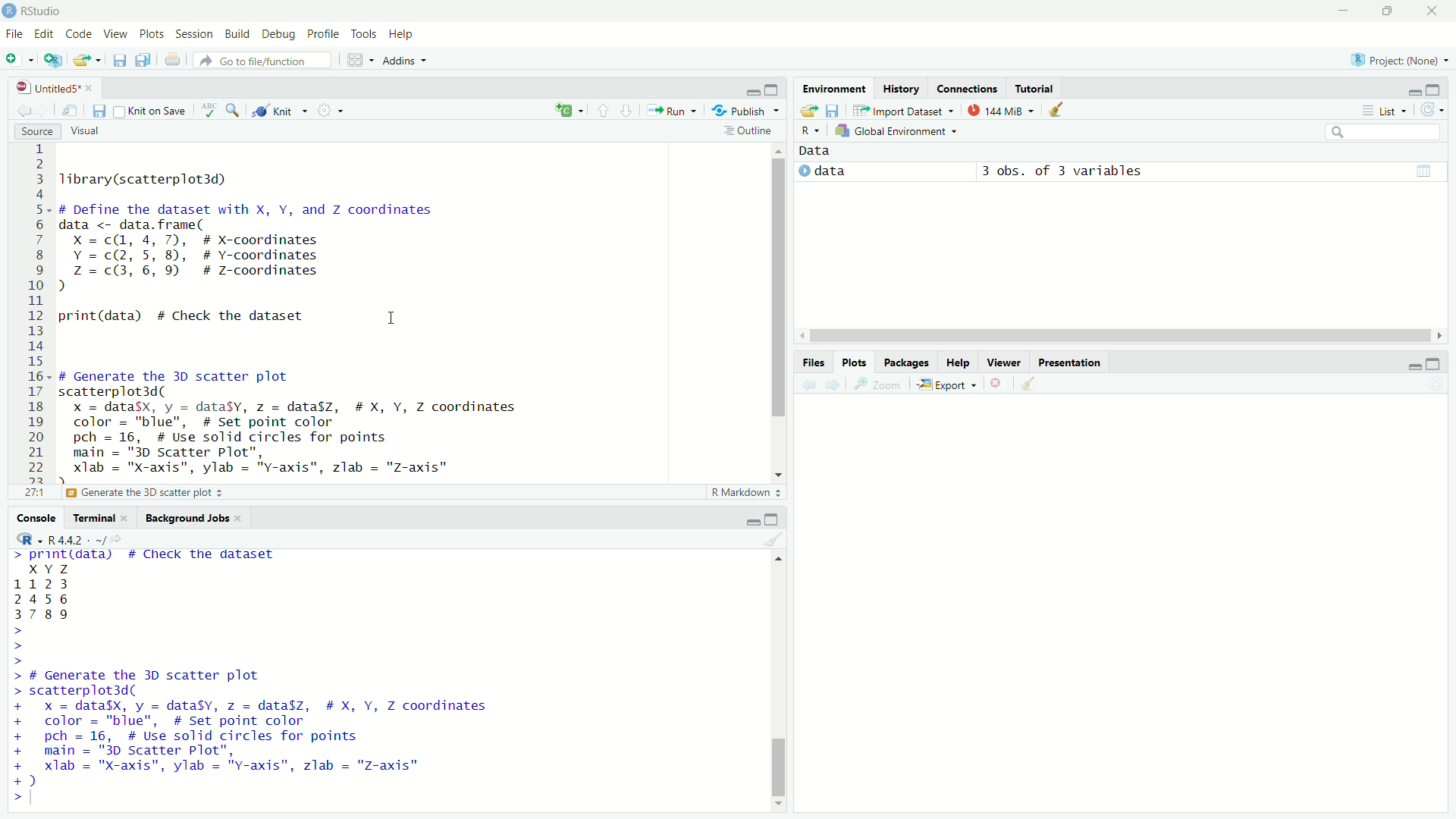  Describe the element at coordinates (1063, 170) in the screenshot. I see `3 obs. of 3 variables` at that location.